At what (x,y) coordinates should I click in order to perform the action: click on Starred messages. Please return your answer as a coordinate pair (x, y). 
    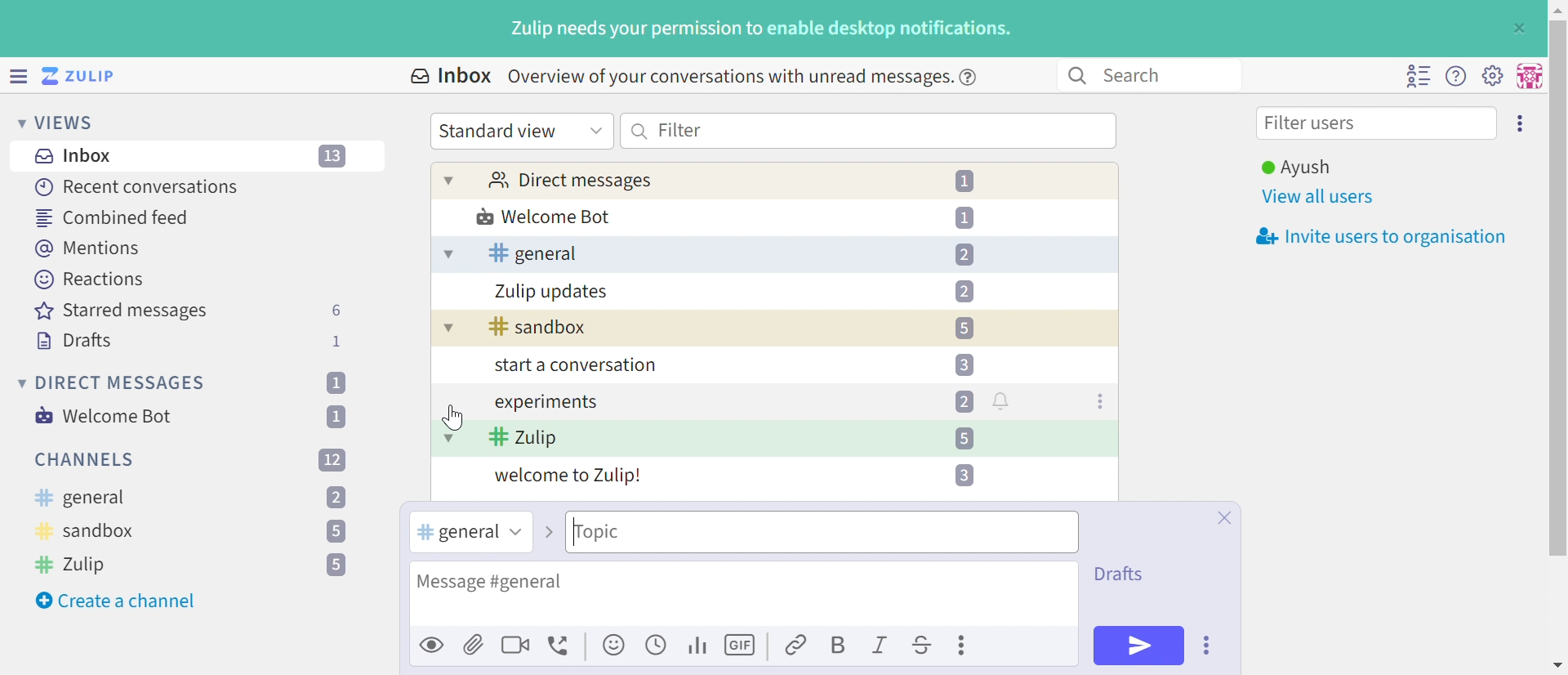
    Looking at the image, I should click on (121, 312).